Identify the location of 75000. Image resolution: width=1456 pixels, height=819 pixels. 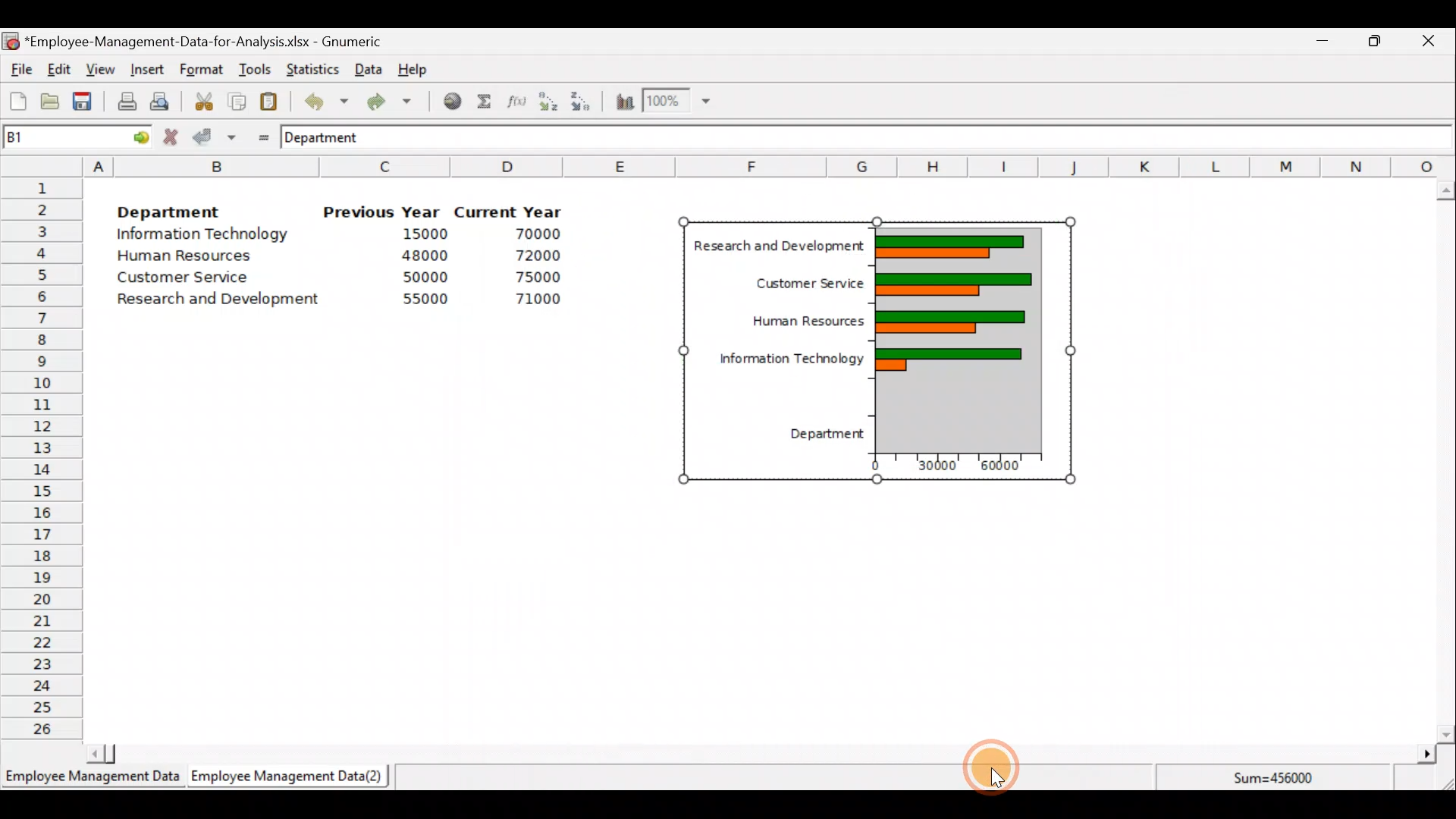
(535, 278).